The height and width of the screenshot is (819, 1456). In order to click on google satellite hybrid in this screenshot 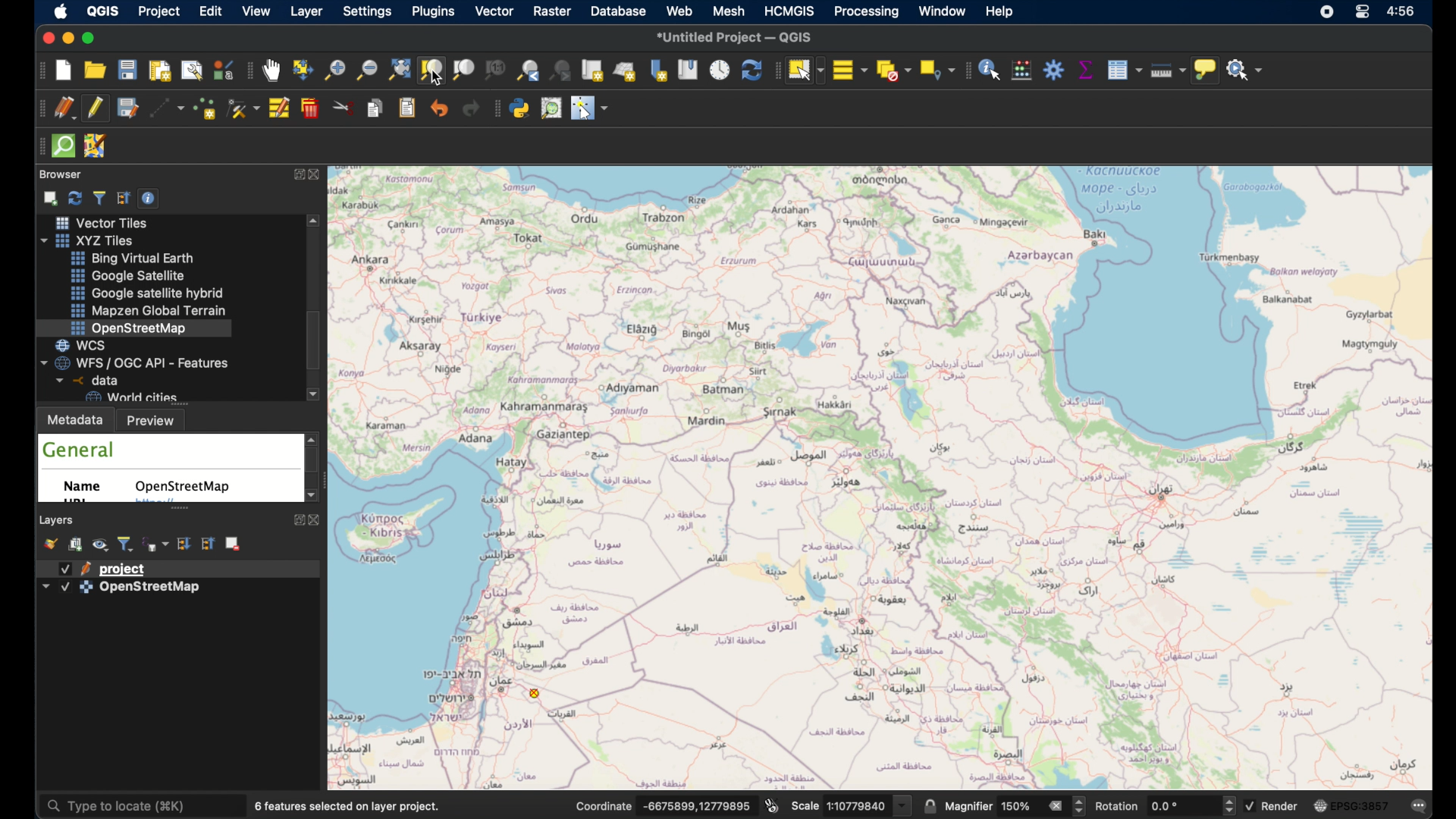, I will do `click(145, 293)`.